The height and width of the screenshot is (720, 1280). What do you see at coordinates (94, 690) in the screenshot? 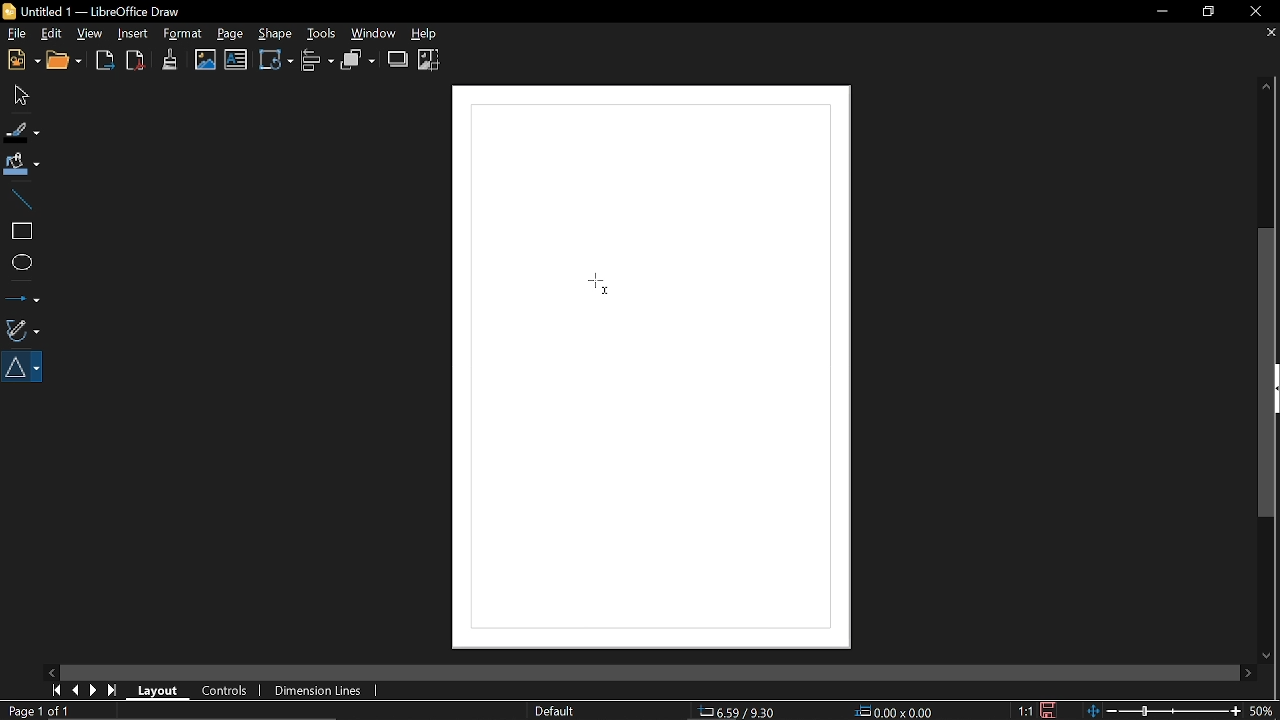
I see `Next page` at bounding box center [94, 690].